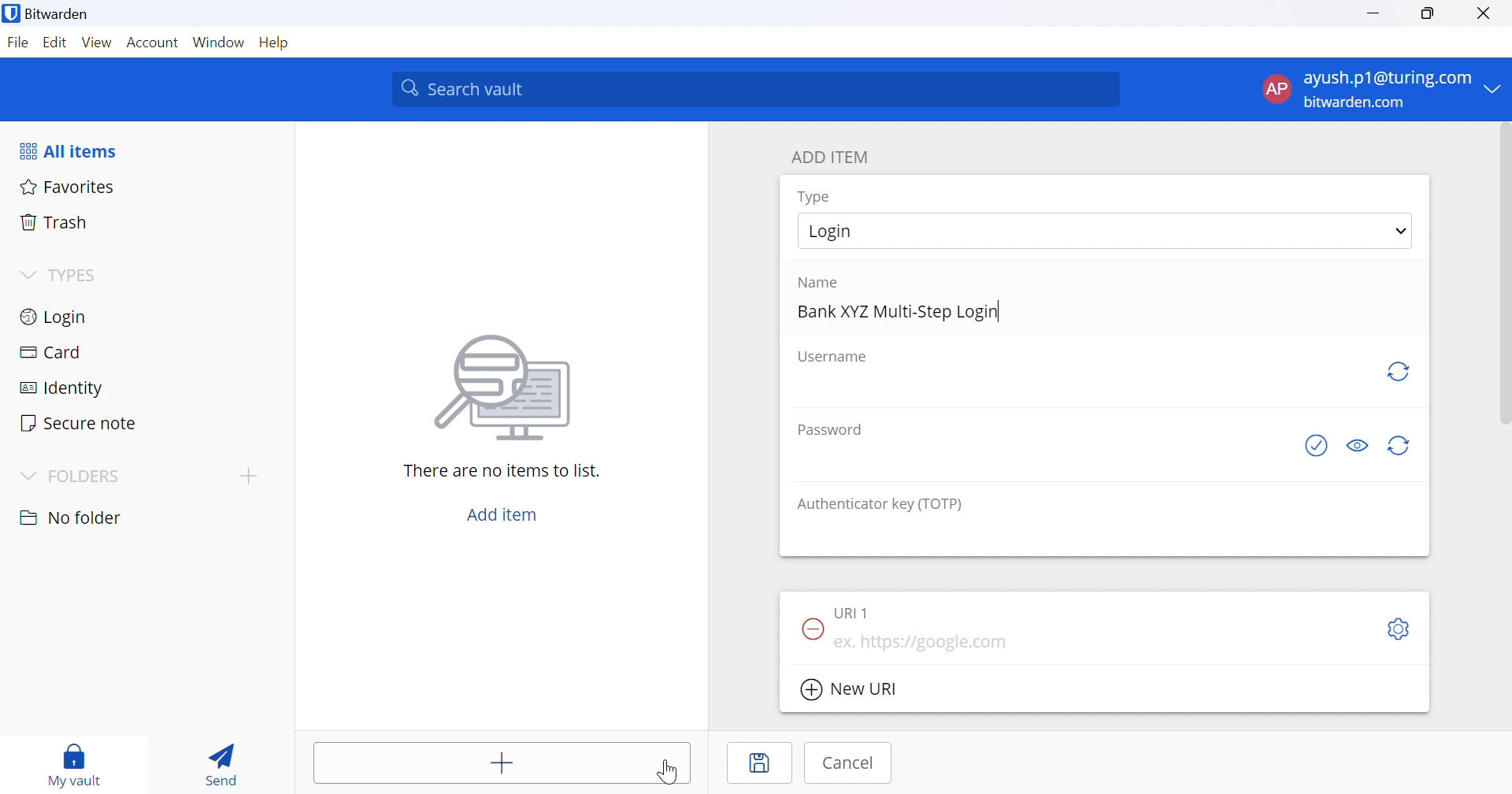  What do you see at coordinates (92, 477) in the screenshot?
I see `FOLDERS` at bounding box center [92, 477].